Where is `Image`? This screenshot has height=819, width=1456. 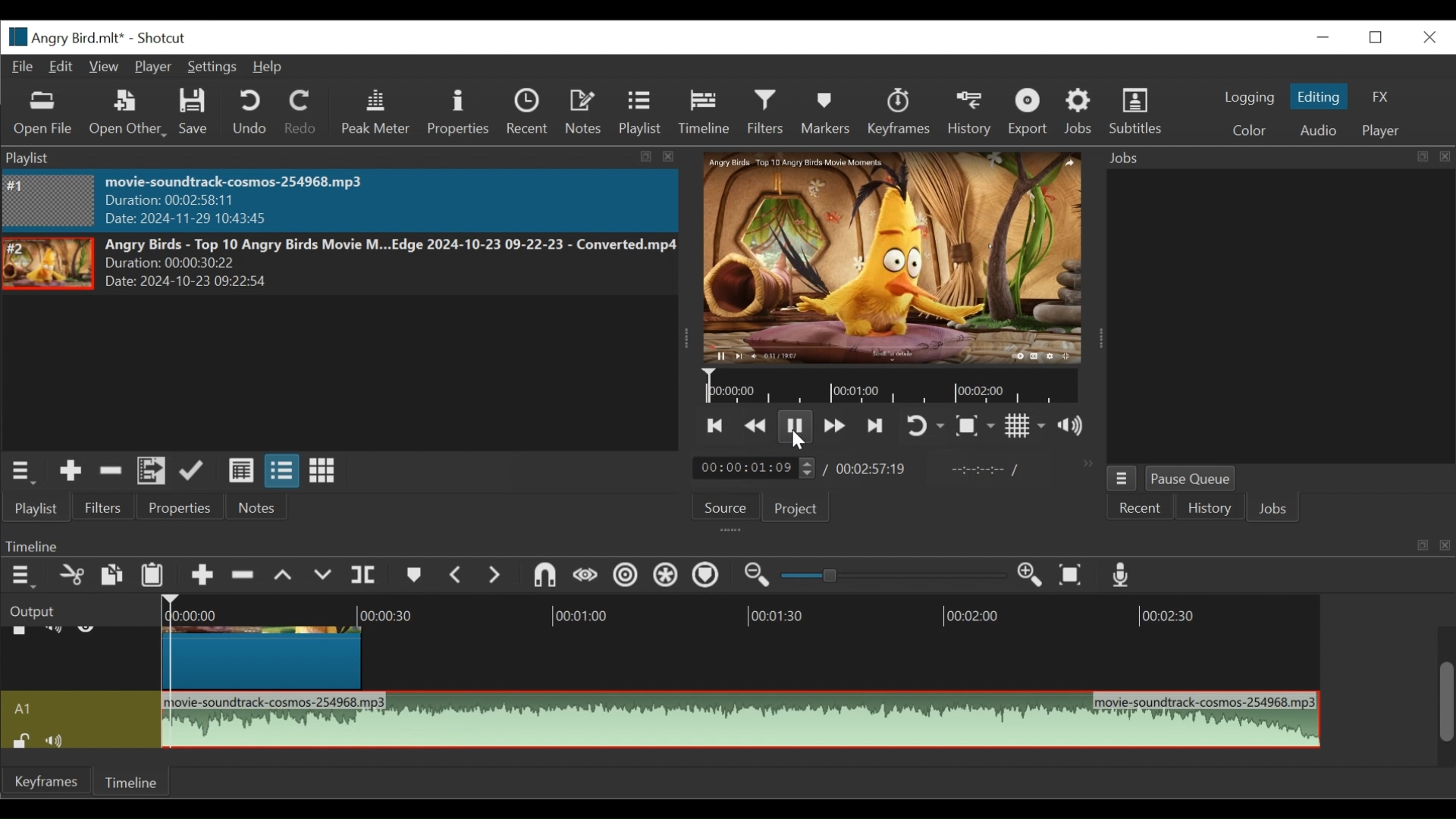
Image is located at coordinates (49, 264).